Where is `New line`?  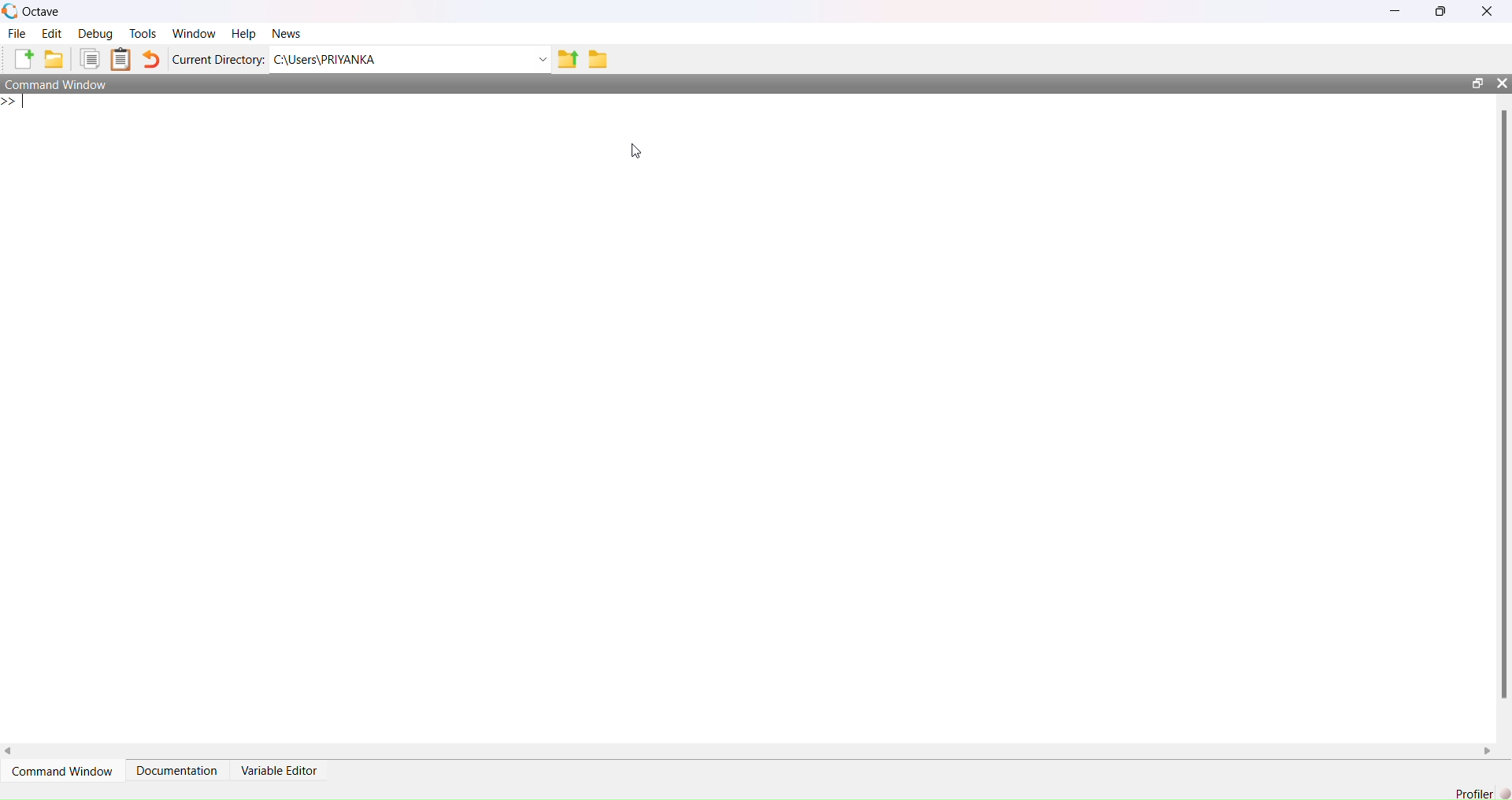 New line is located at coordinates (14, 102).